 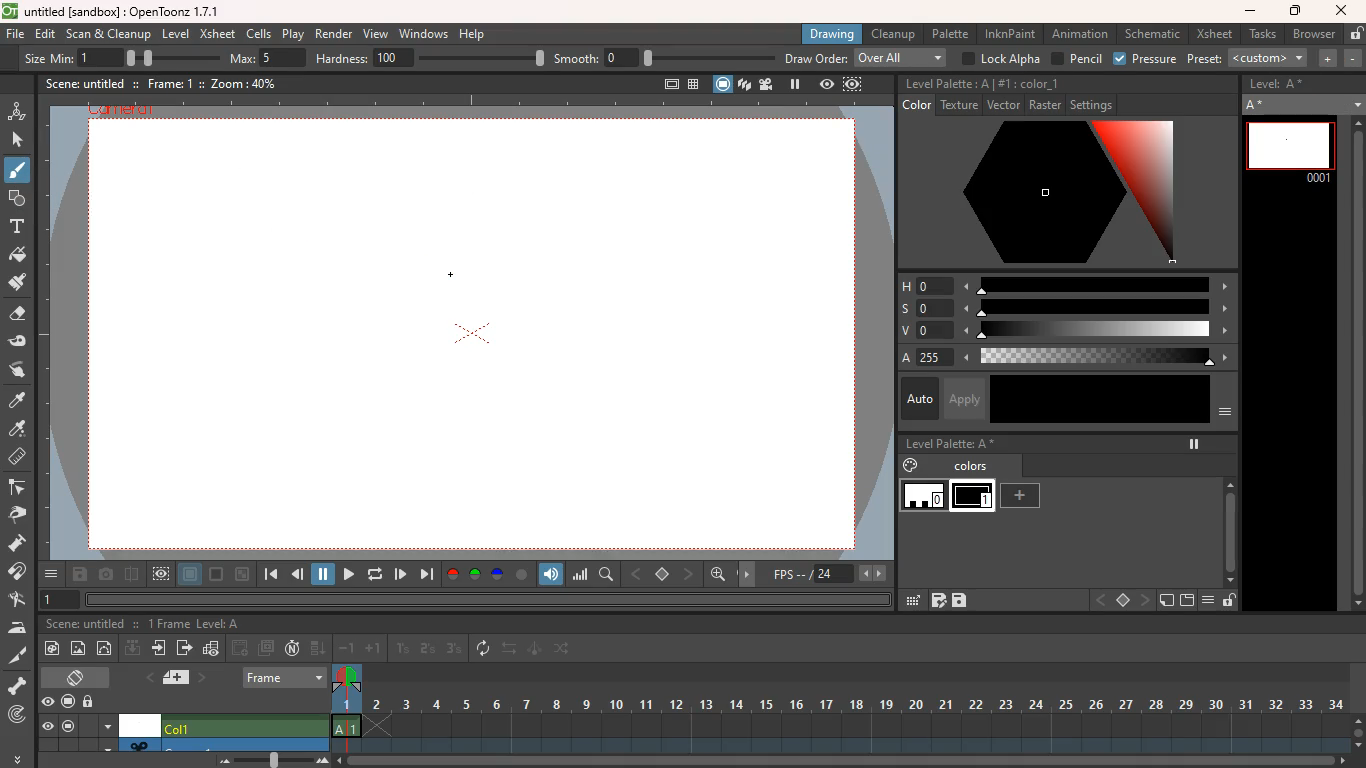 I want to click on circle, so click(x=522, y=574).